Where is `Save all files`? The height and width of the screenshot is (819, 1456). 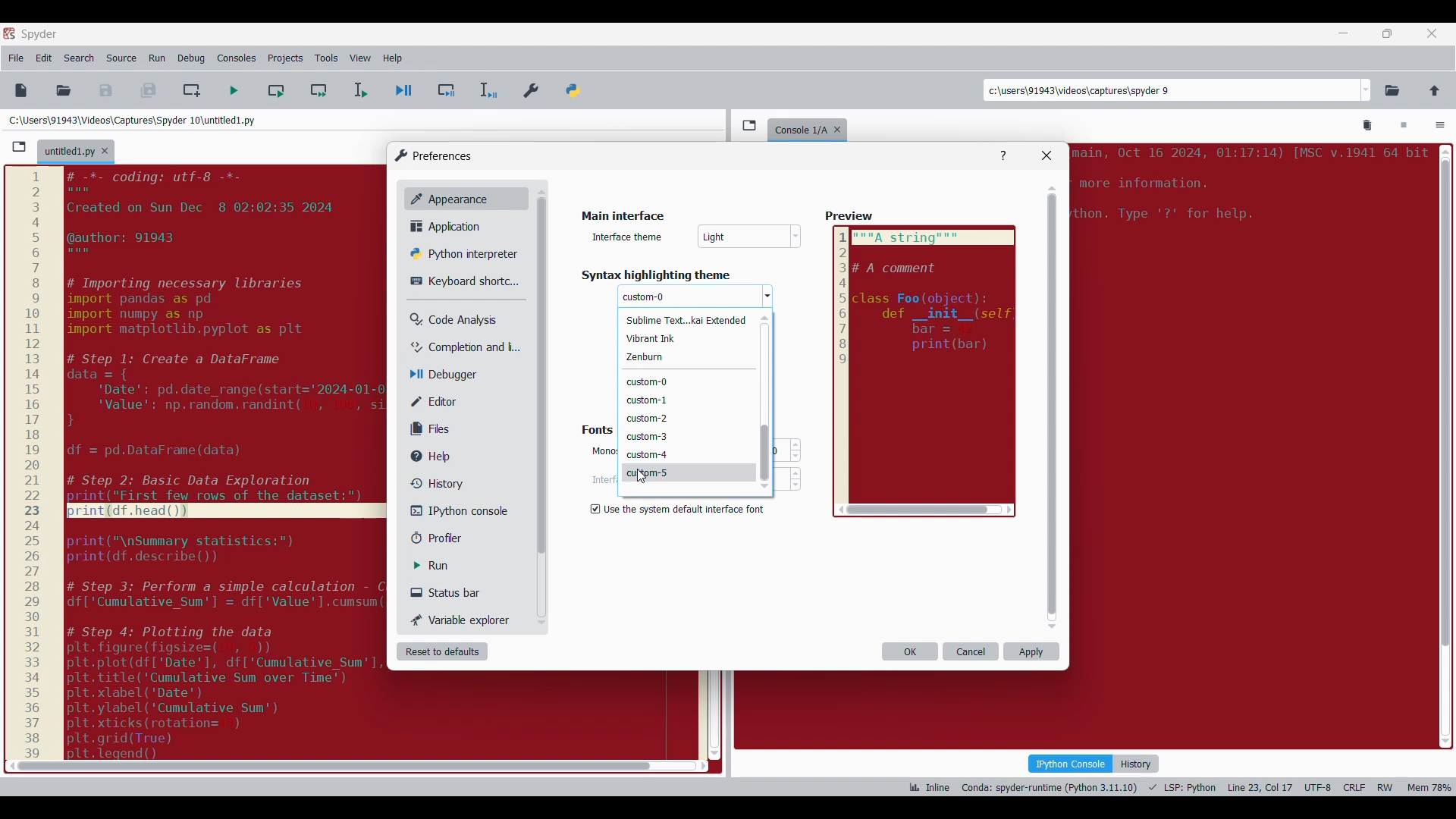
Save all files is located at coordinates (148, 90).